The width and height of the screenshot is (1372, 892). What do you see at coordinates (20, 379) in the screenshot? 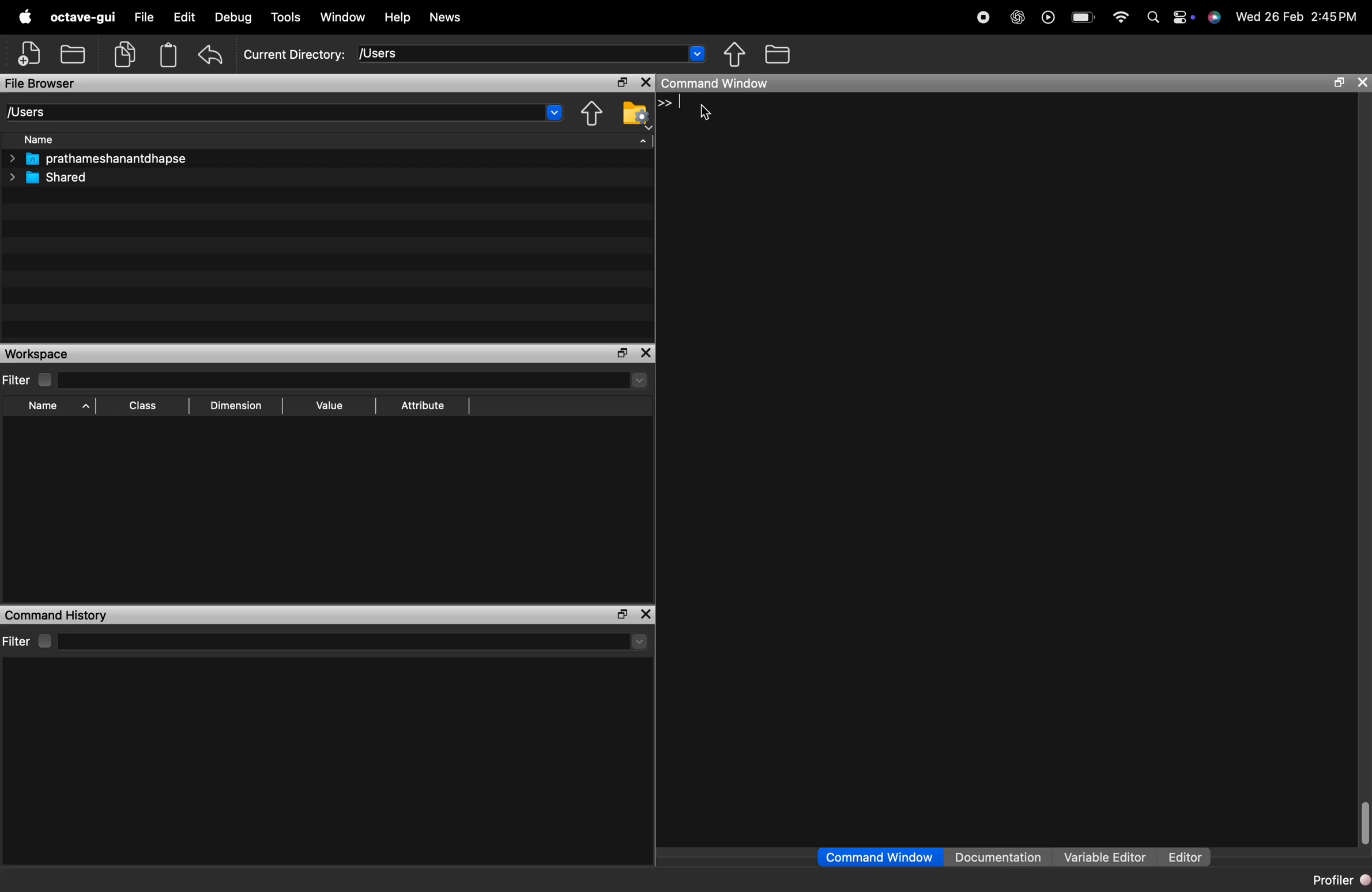
I see `Filter` at bounding box center [20, 379].